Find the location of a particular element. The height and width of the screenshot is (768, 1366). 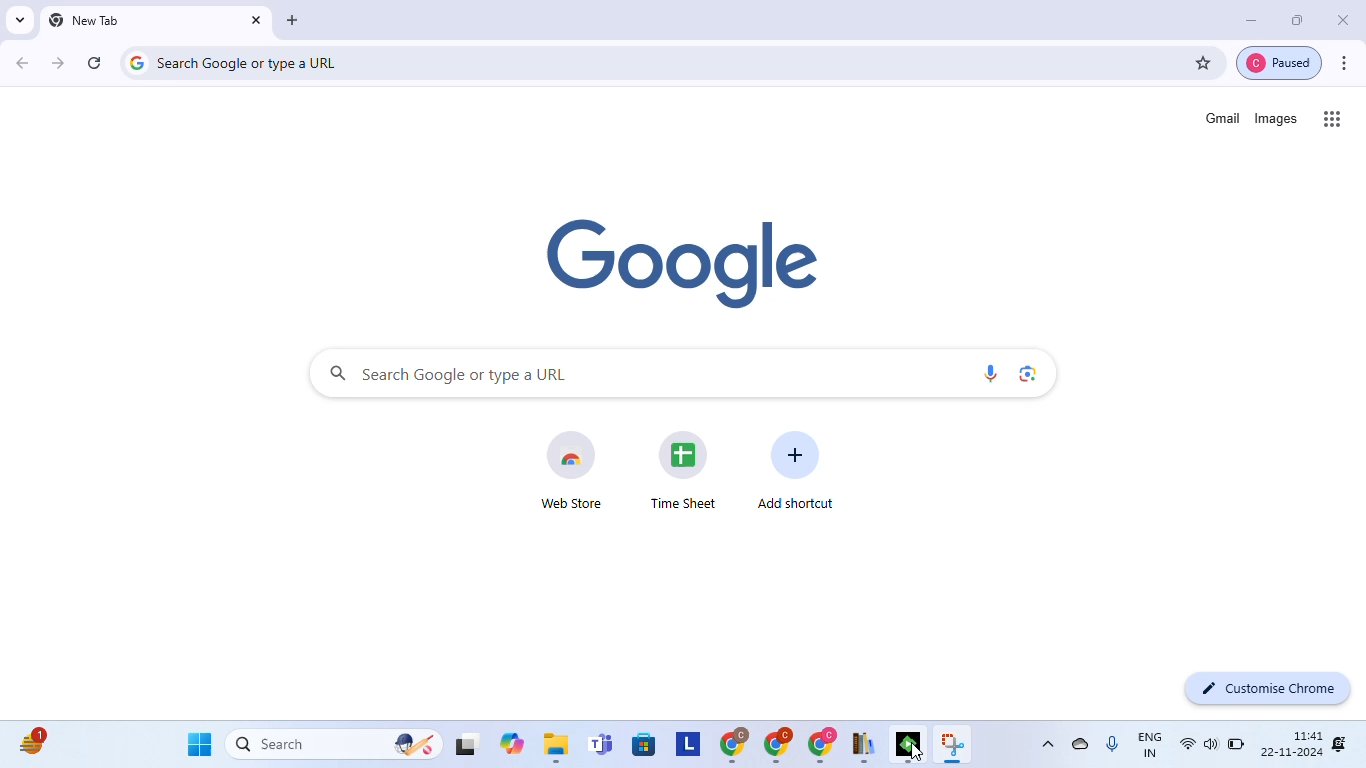

desktop is located at coordinates (466, 747).